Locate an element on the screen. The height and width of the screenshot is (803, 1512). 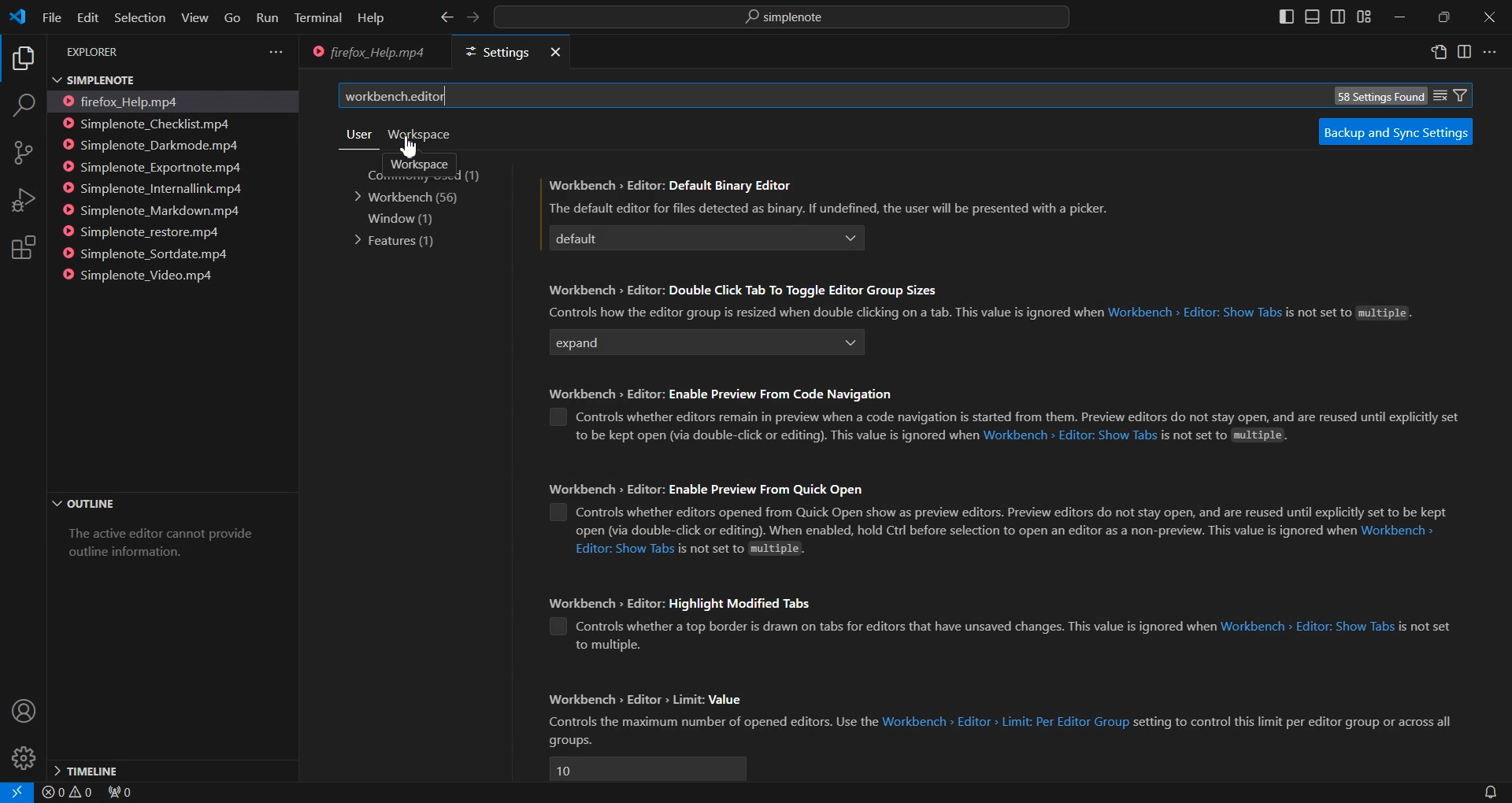
Workspace is located at coordinates (419, 164).